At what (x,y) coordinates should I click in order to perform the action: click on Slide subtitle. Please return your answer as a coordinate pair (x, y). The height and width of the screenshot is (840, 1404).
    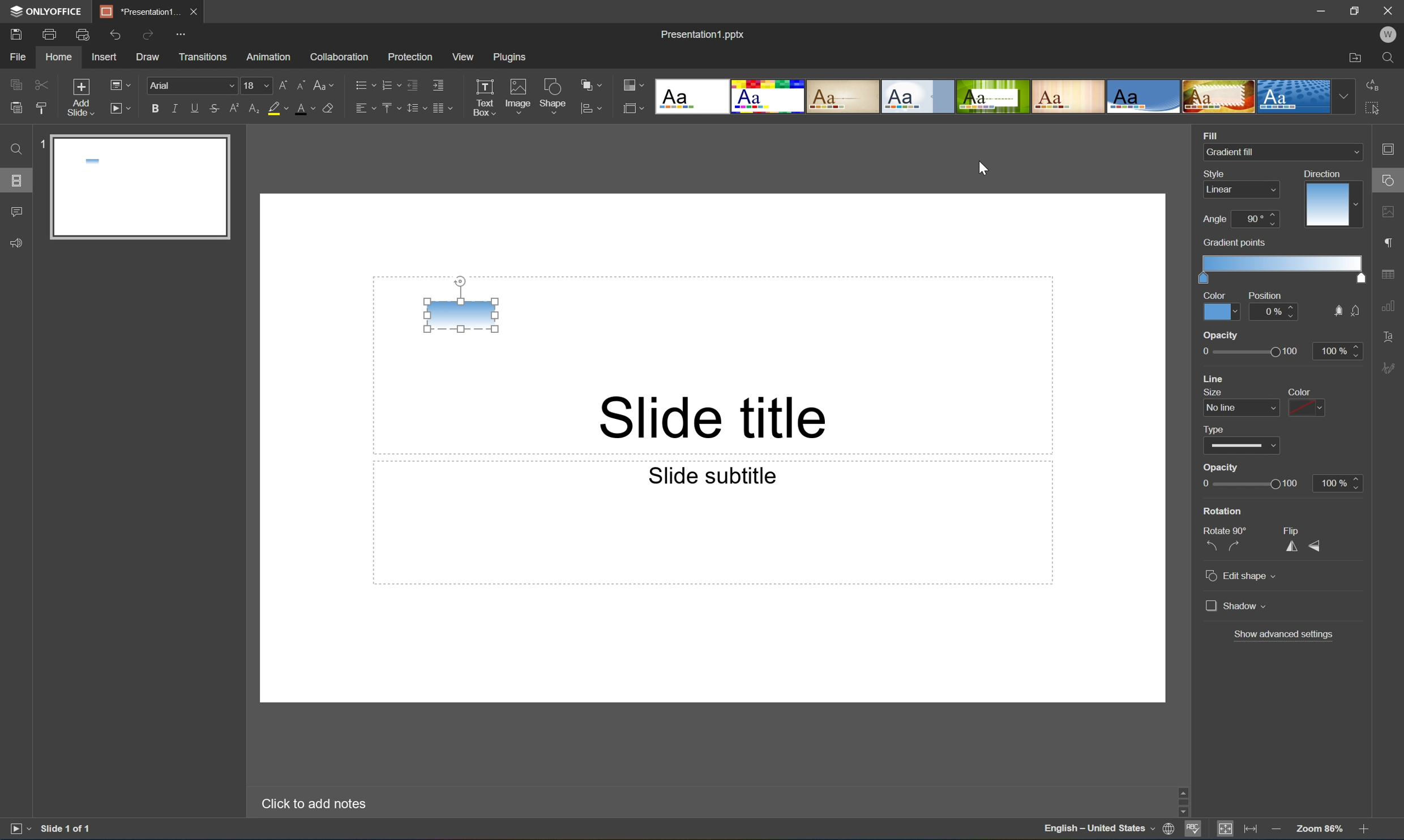
    Looking at the image, I should click on (709, 474).